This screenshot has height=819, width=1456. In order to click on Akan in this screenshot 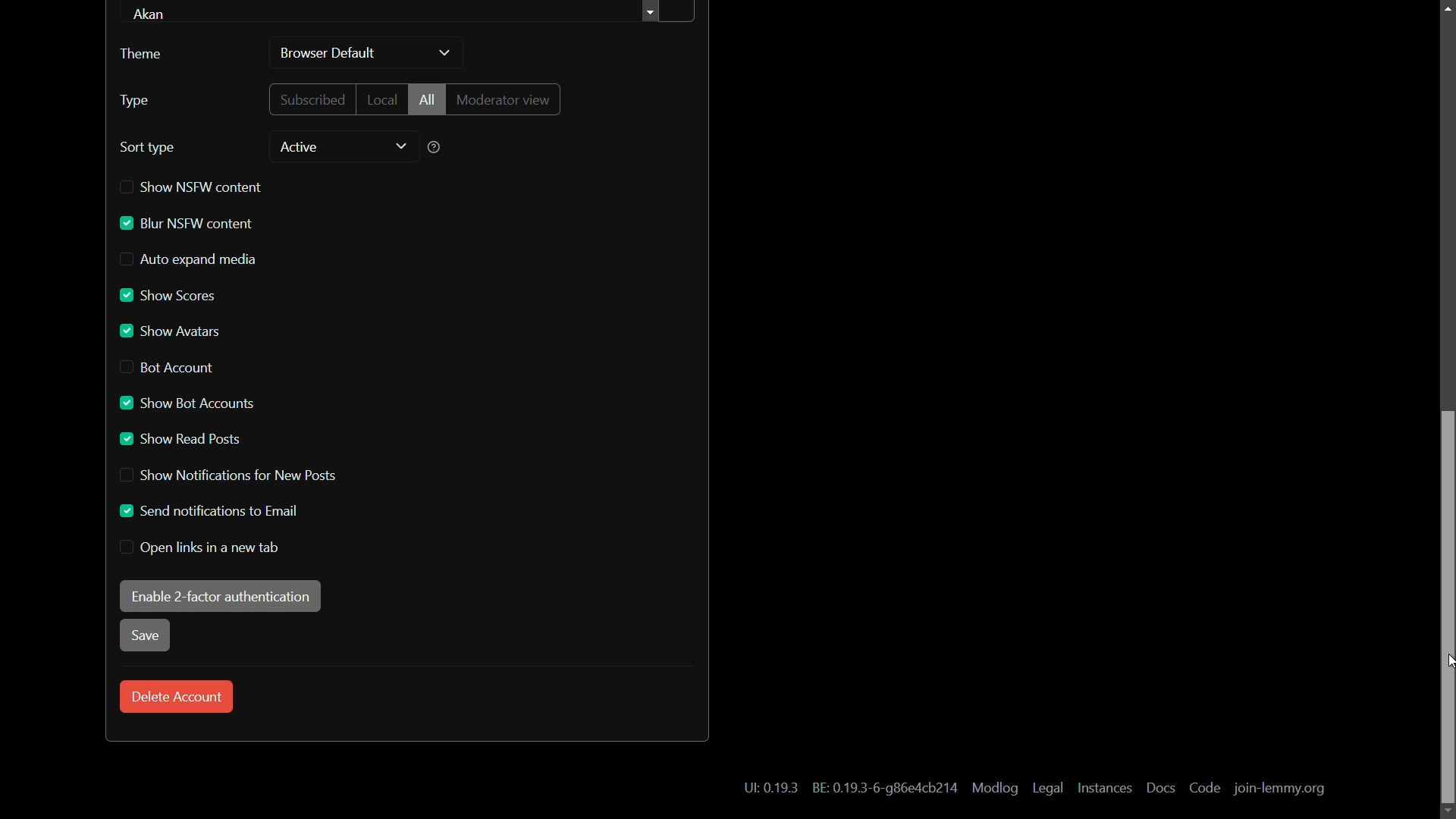, I will do `click(155, 14)`.